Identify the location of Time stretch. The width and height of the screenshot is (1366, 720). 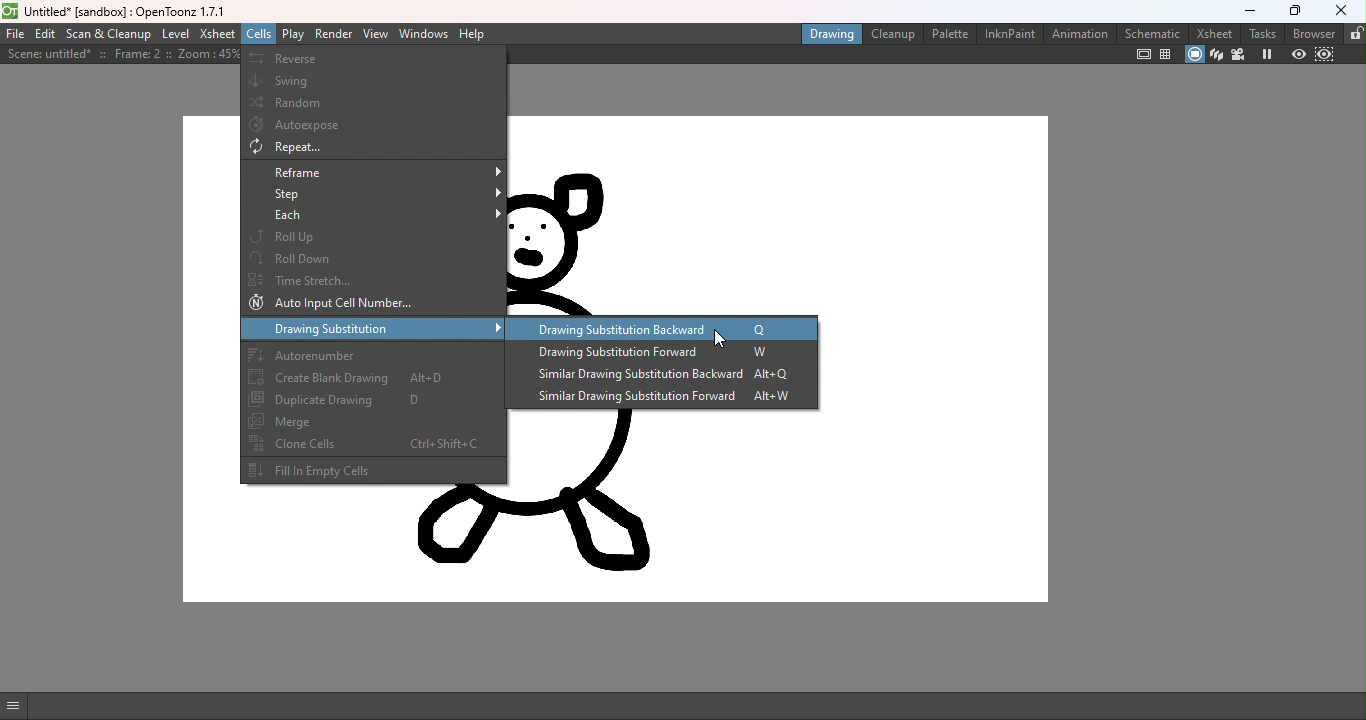
(374, 279).